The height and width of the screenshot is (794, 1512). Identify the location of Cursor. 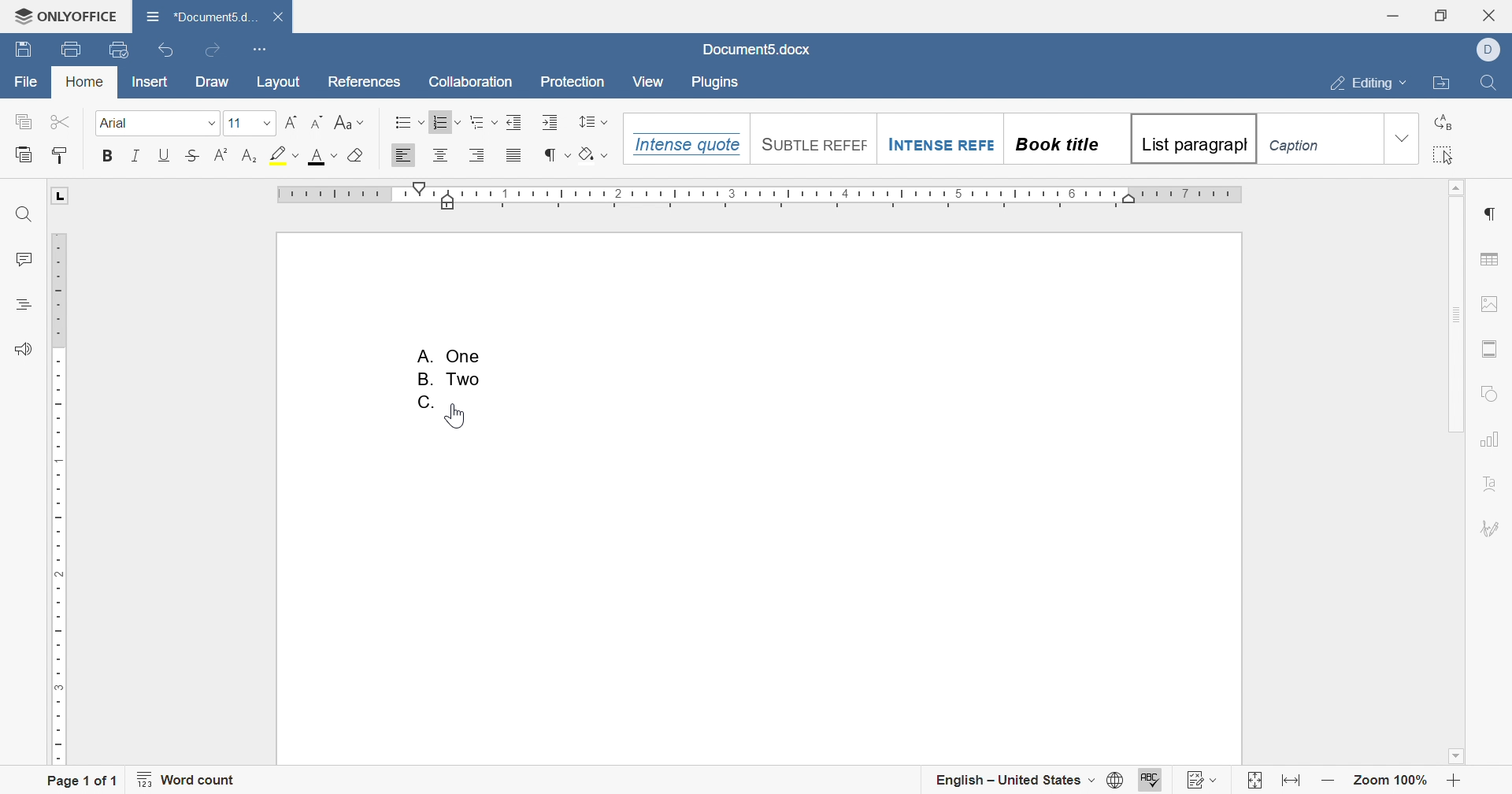
(458, 415).